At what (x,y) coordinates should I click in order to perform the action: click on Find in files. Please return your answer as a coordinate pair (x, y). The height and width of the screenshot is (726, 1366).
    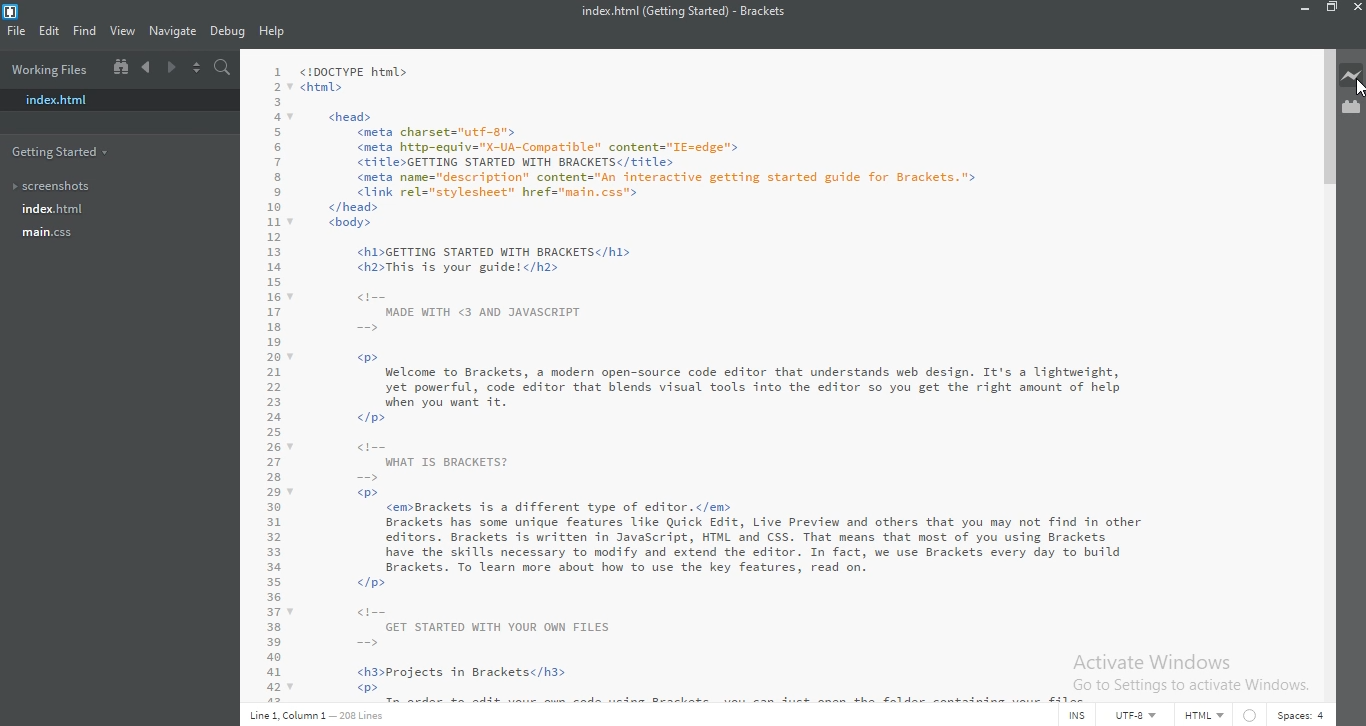
    Looking at the image, I should click on (220, 64).